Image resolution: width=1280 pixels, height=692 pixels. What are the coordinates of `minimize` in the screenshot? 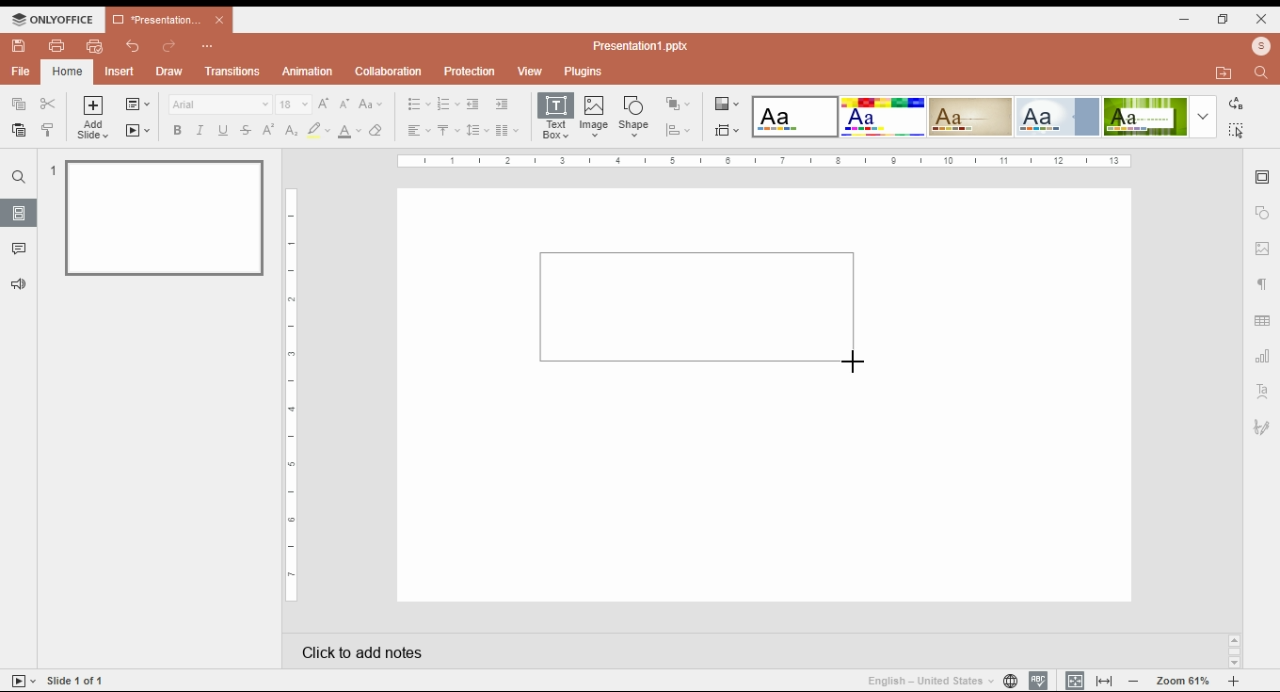 It's located at (1188, 20).